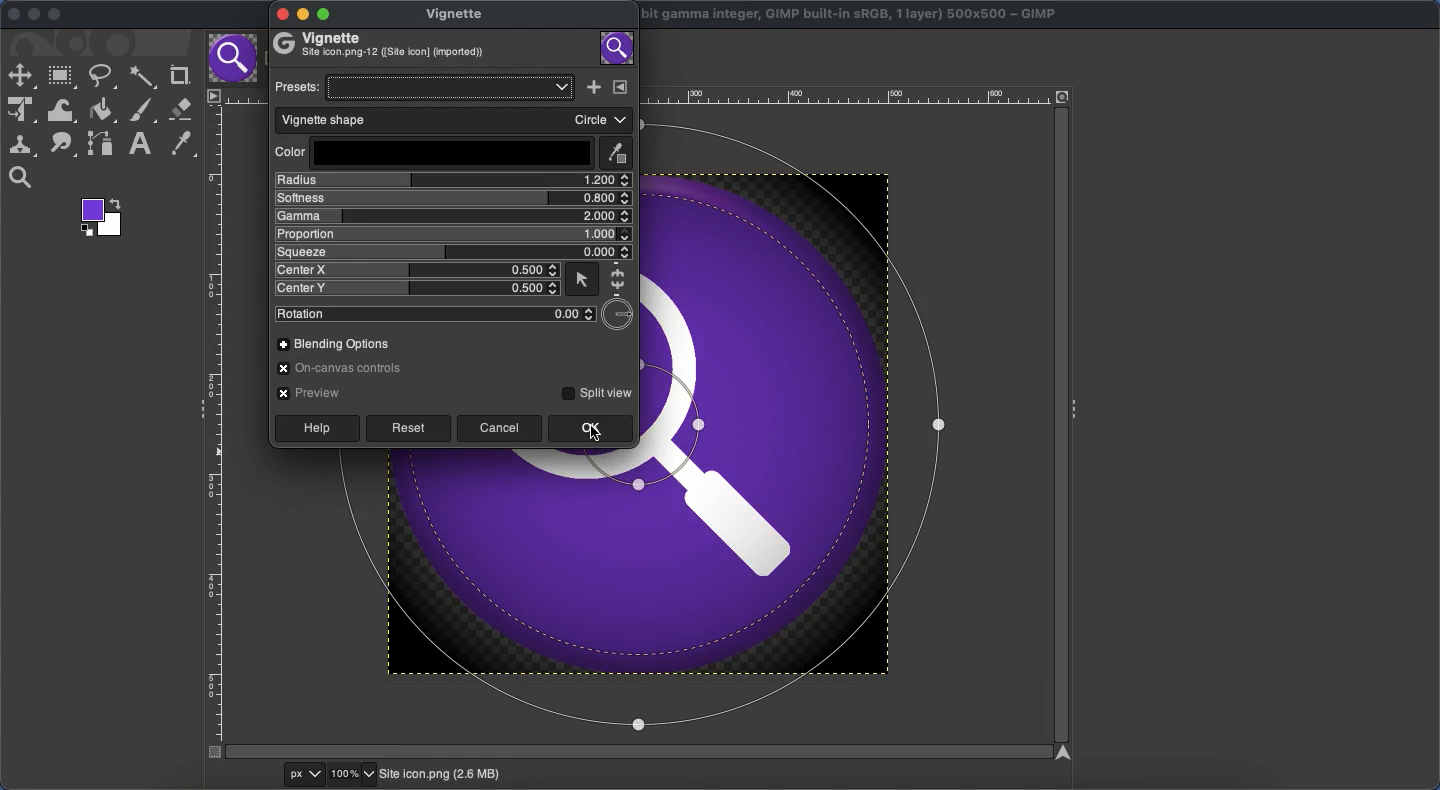 This screenshot has height=790, width=1440. Describe the element at coordinates (344, 368) in the screenshot. I see `On-canvas control` at that location.